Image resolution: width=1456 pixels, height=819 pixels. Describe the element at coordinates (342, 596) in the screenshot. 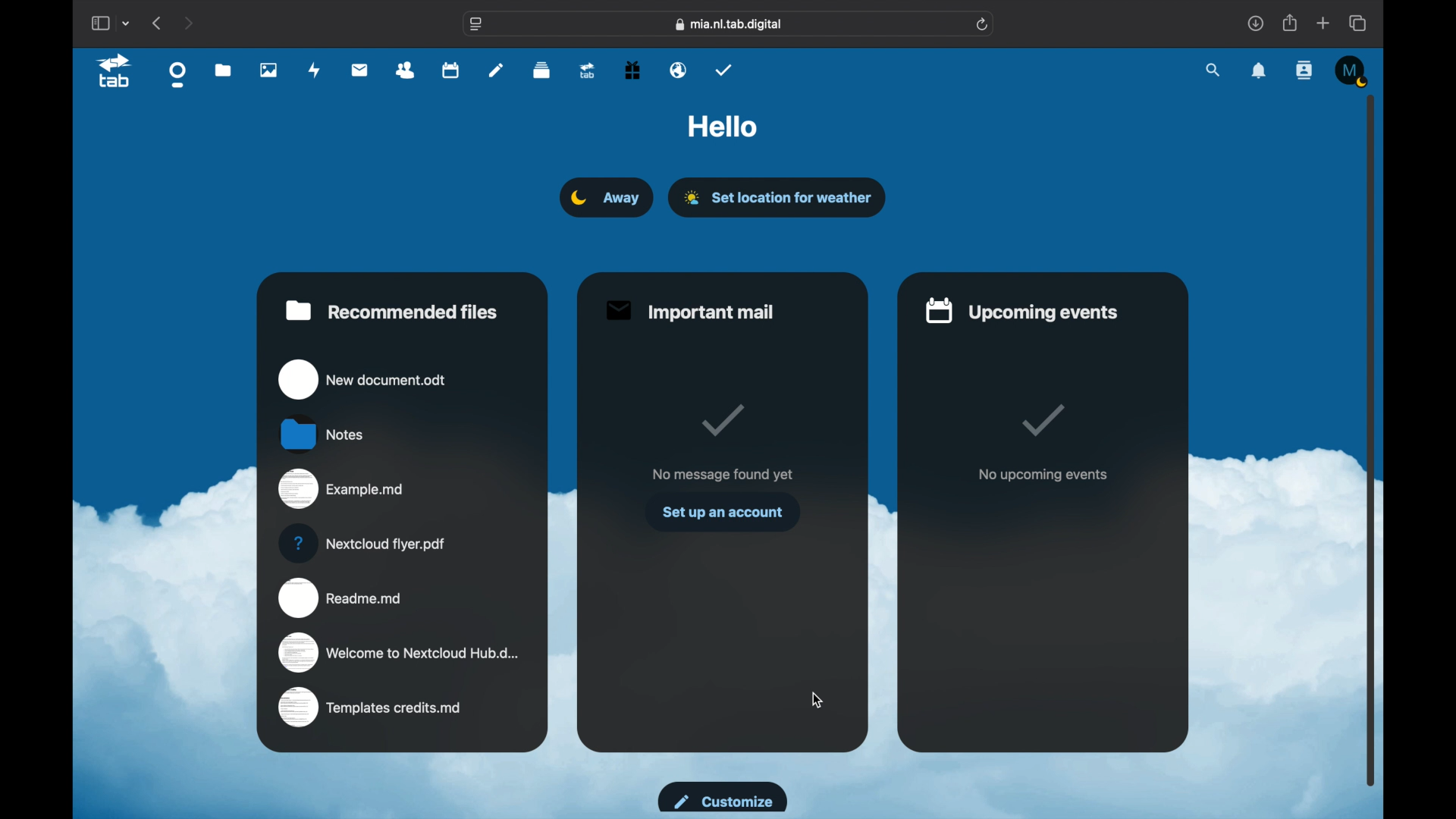

I see `readme.md` at that location.